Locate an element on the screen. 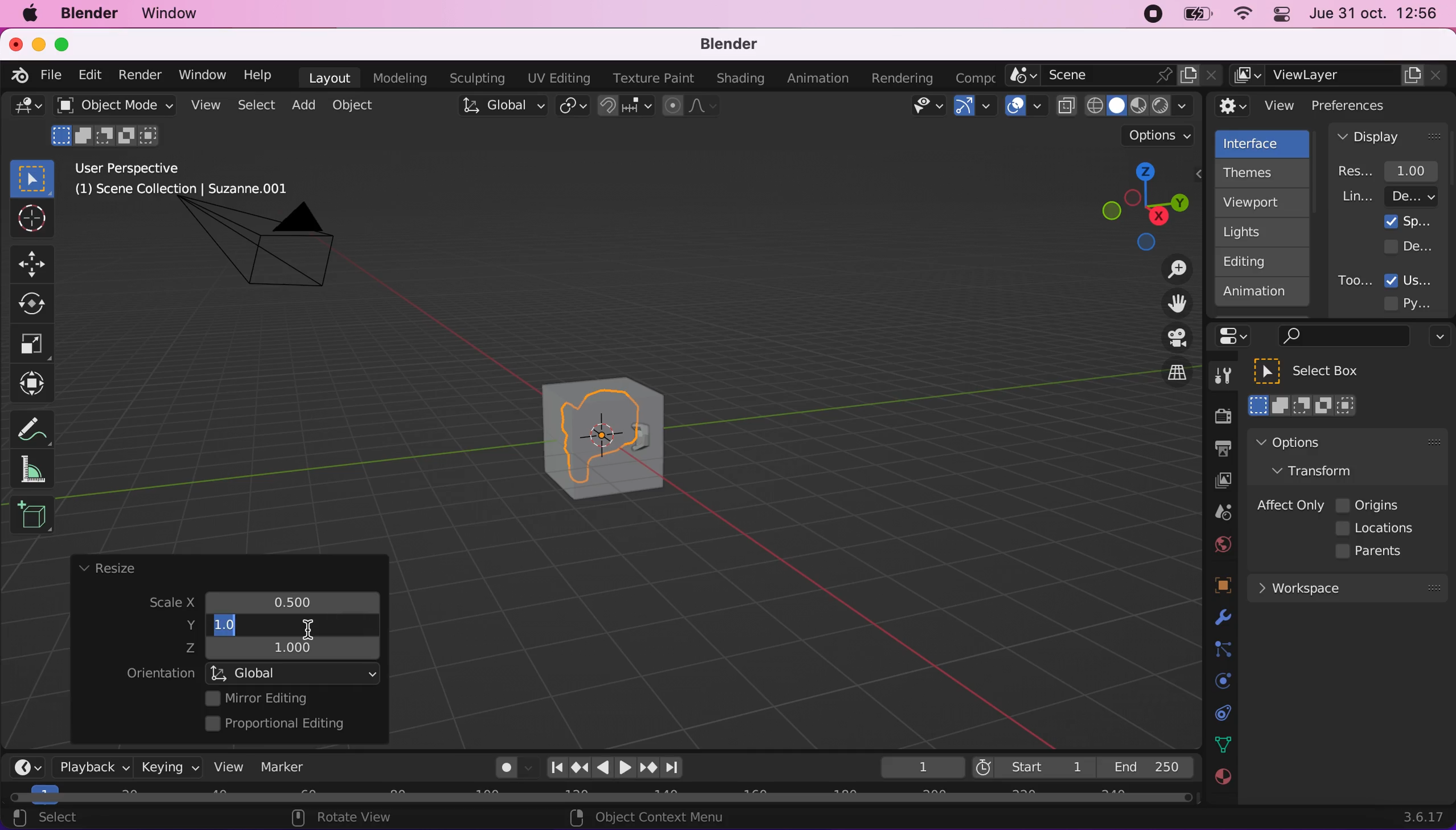 This screenshot has width=1456, height=830. view object types is located at coordinates (925, 108).